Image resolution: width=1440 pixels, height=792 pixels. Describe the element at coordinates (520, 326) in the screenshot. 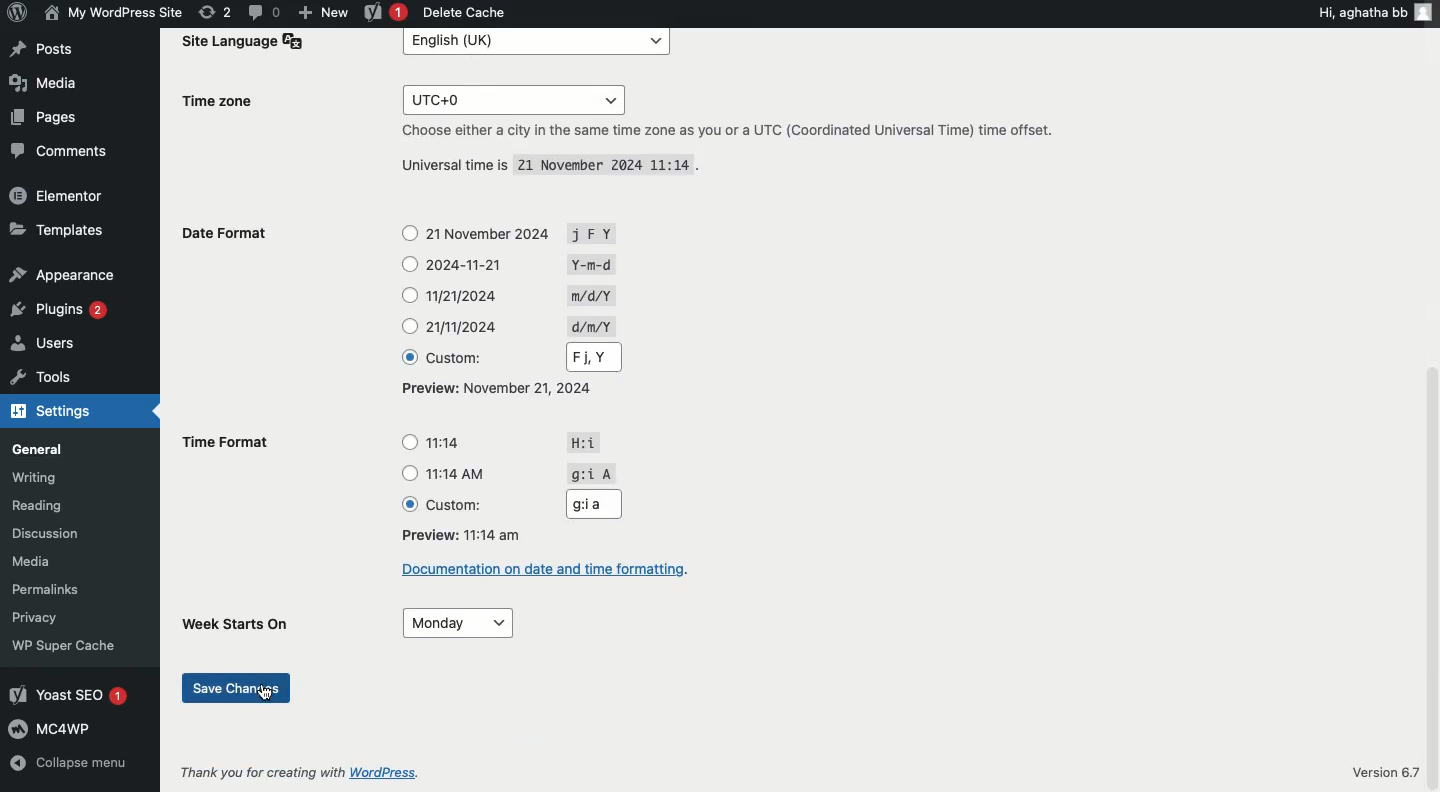

I see `21/11/2024 d/m/Y` at that location.